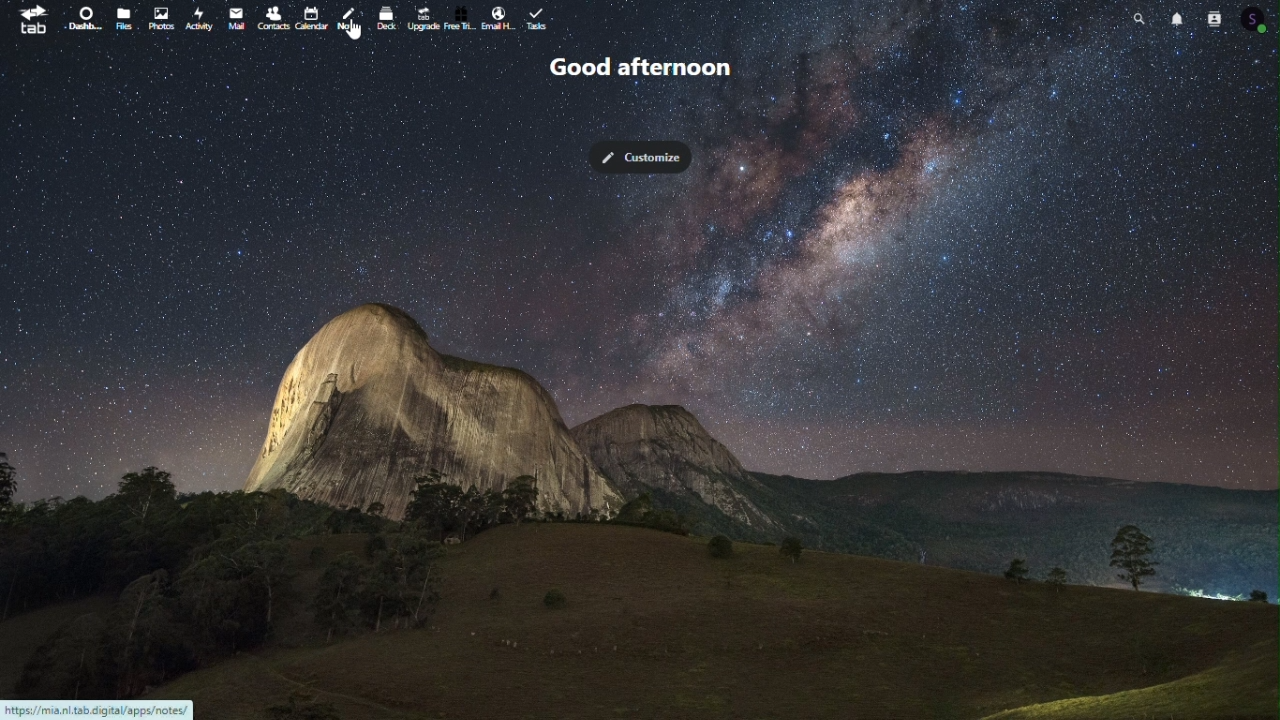 The width and height of the screenshot is (1280, 720). What do you see at coordinates (1262, 22) in the screenshot?
I see `Profile` at bounding box center [1262, 22].